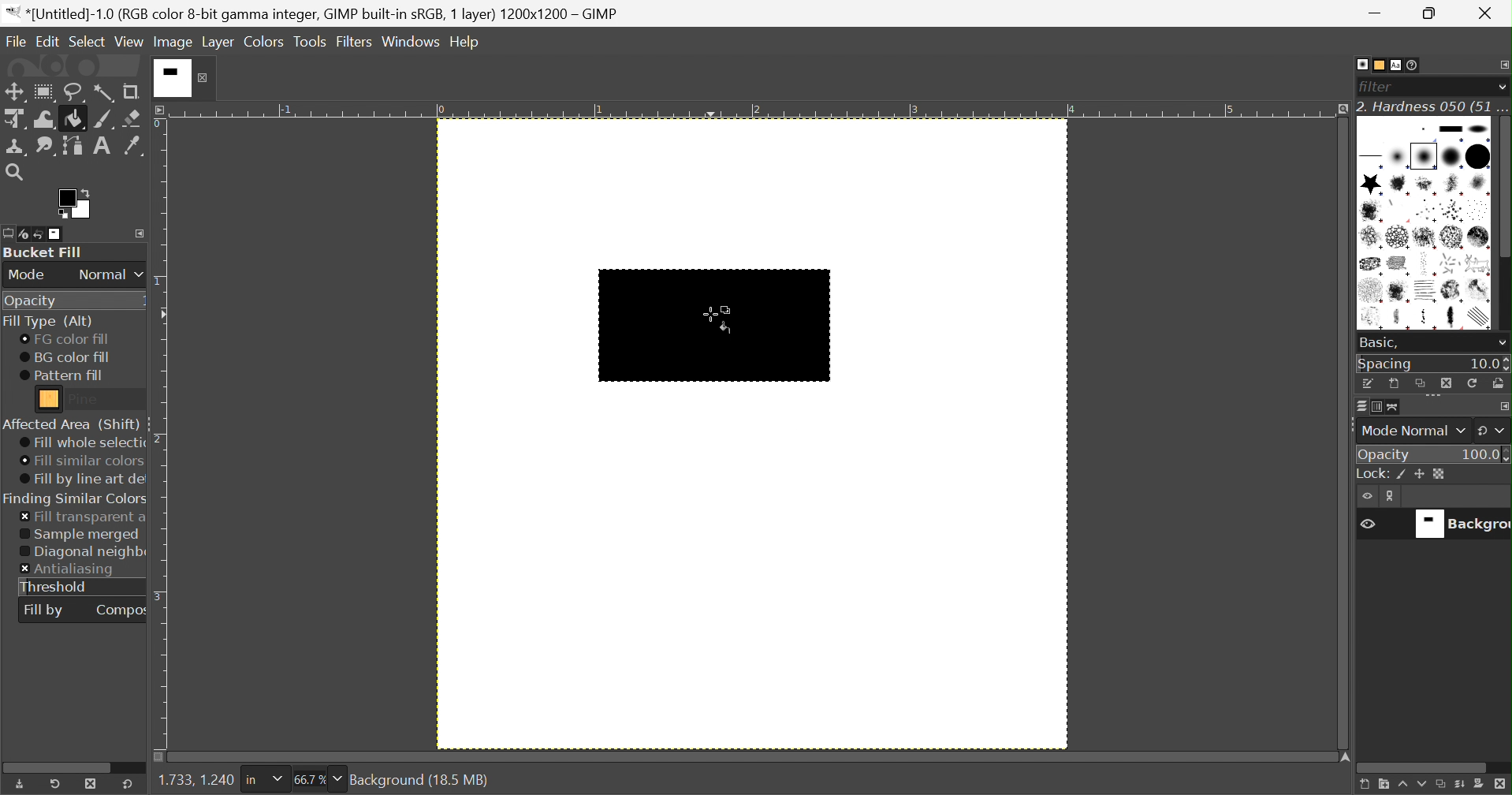 This screenshot has height=795, width=1512. What do you see at coordinates (1427, 211) in the screenshot?
I see `Bristles` at bounding box center [1427, 211].